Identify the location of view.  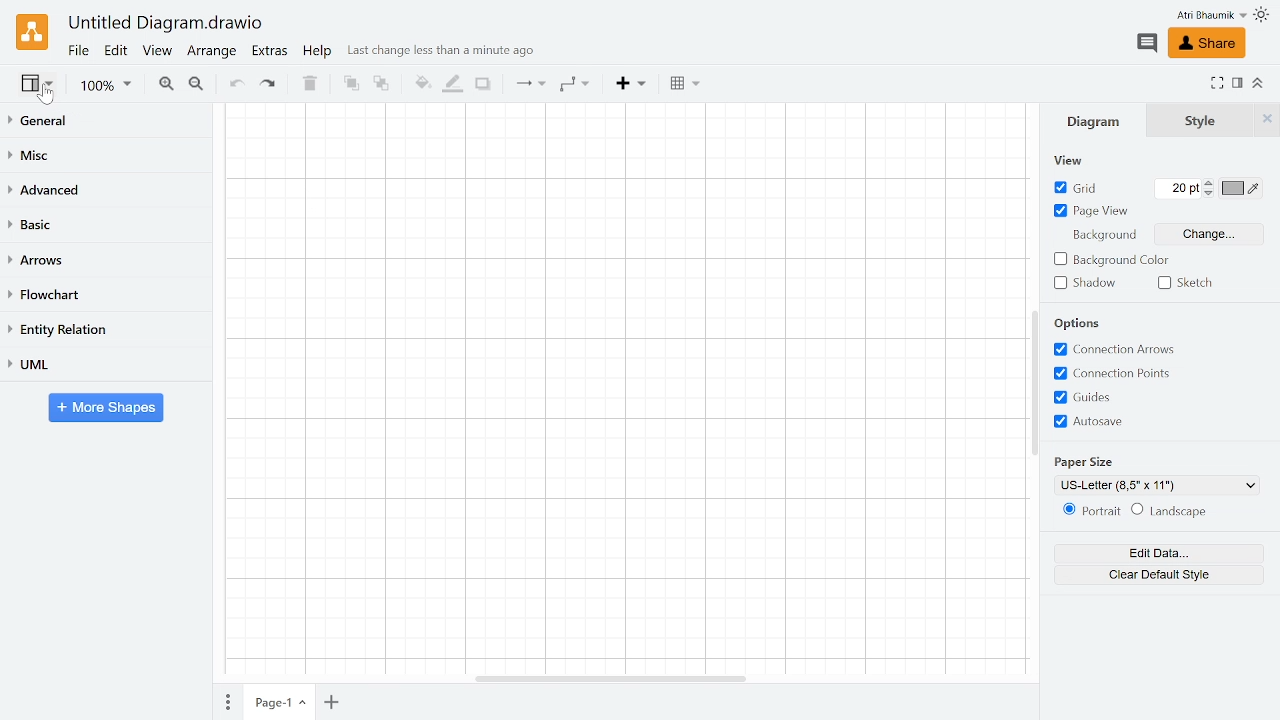
(1066, 161).